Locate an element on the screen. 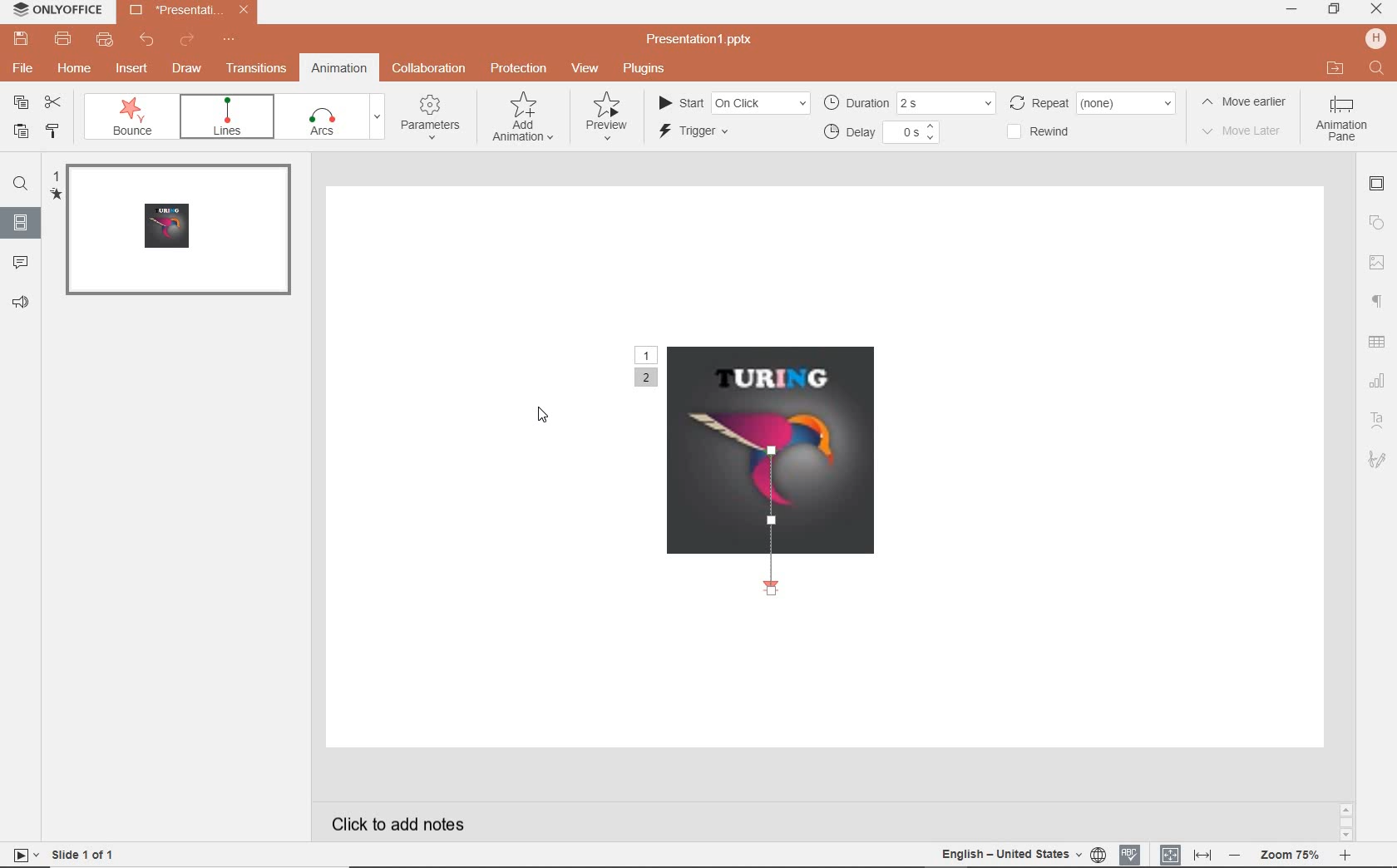 The image size is (1397, 868). slide settings is located at coordinates (1377, 184).